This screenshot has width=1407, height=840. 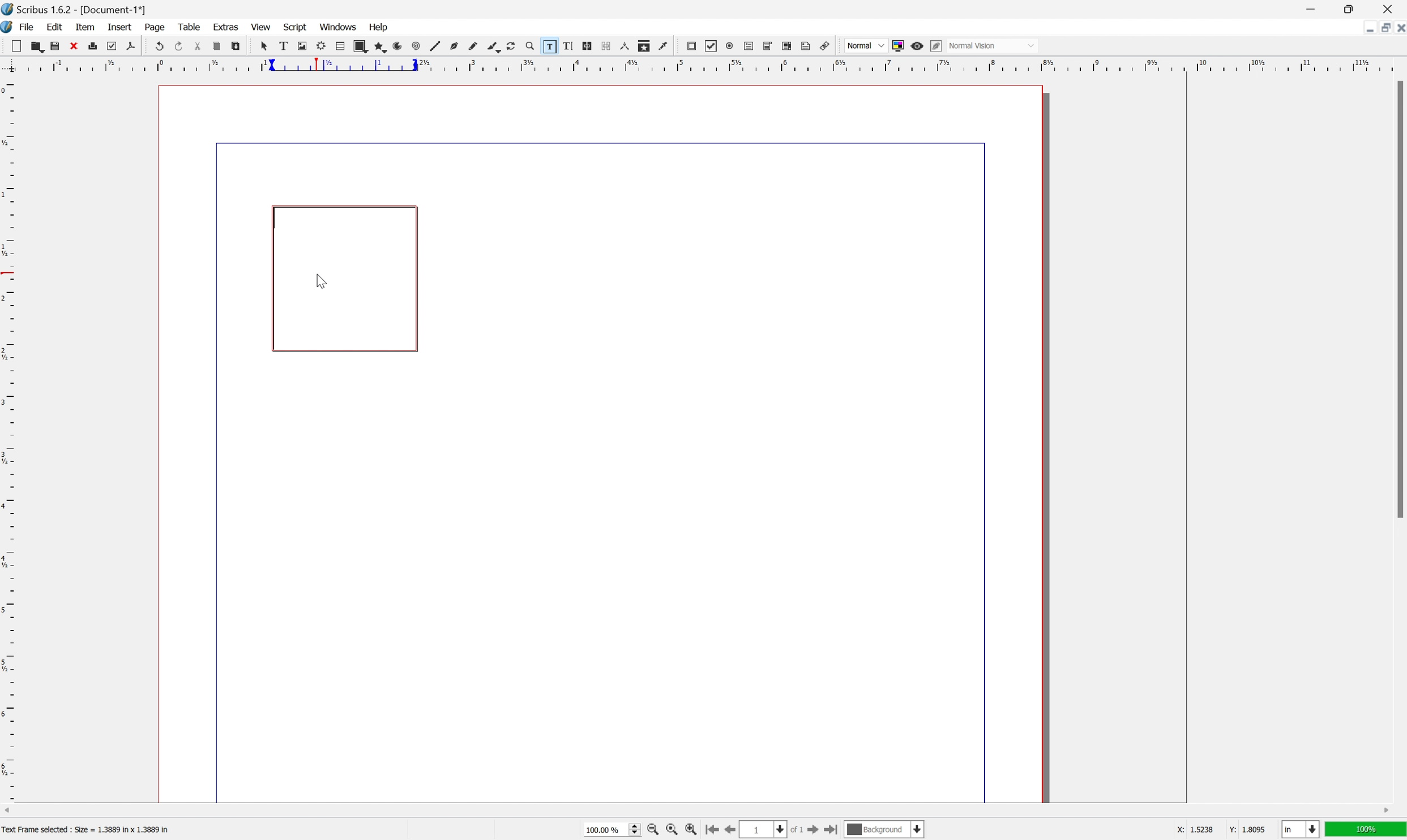 What do you see at coordinates (511, 46) in the screenshot?
I see `rotate item` at bounding box center [511, 46].